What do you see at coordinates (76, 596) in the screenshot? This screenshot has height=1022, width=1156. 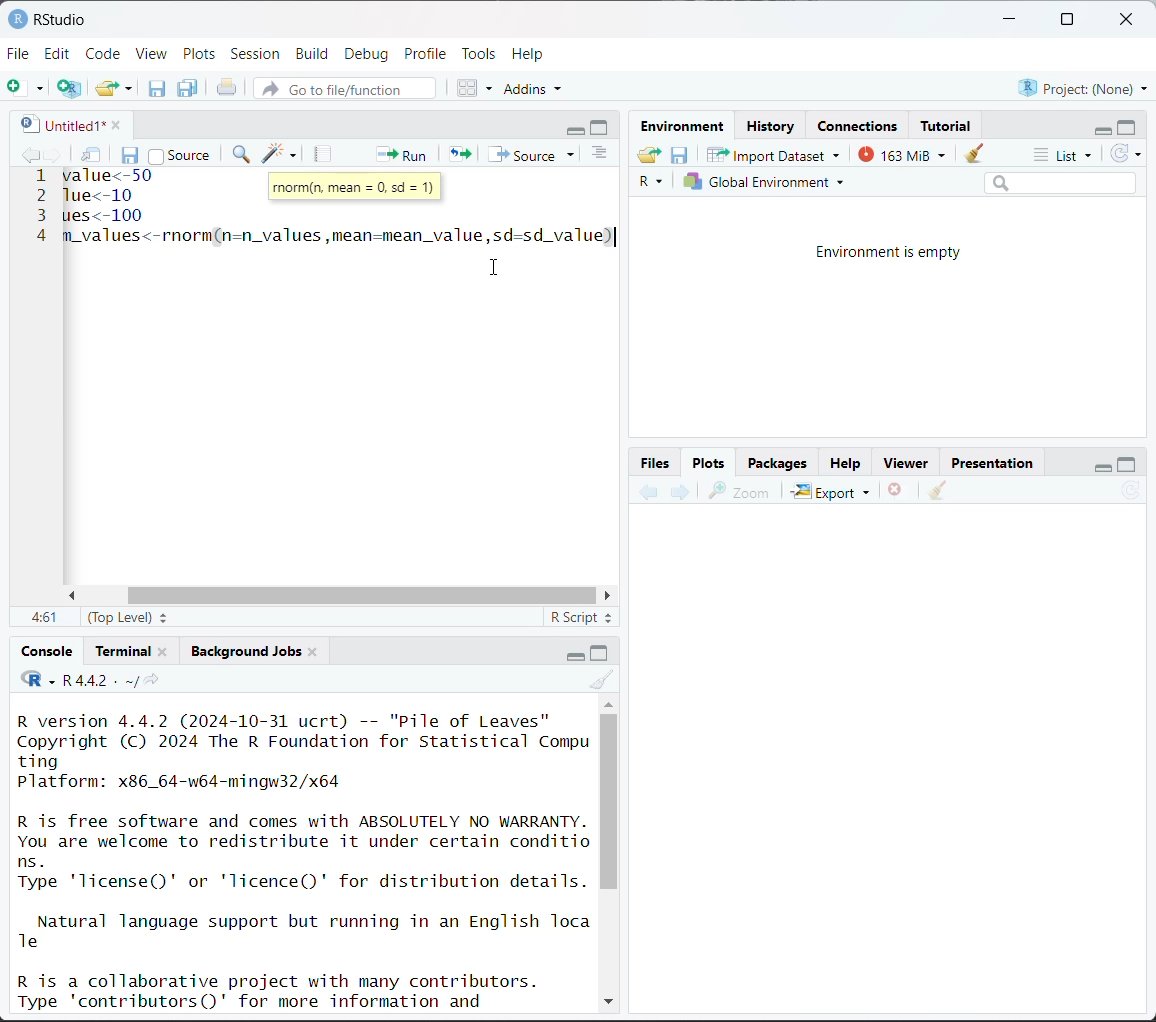 I see `move left` at bounding box center [76, 596].